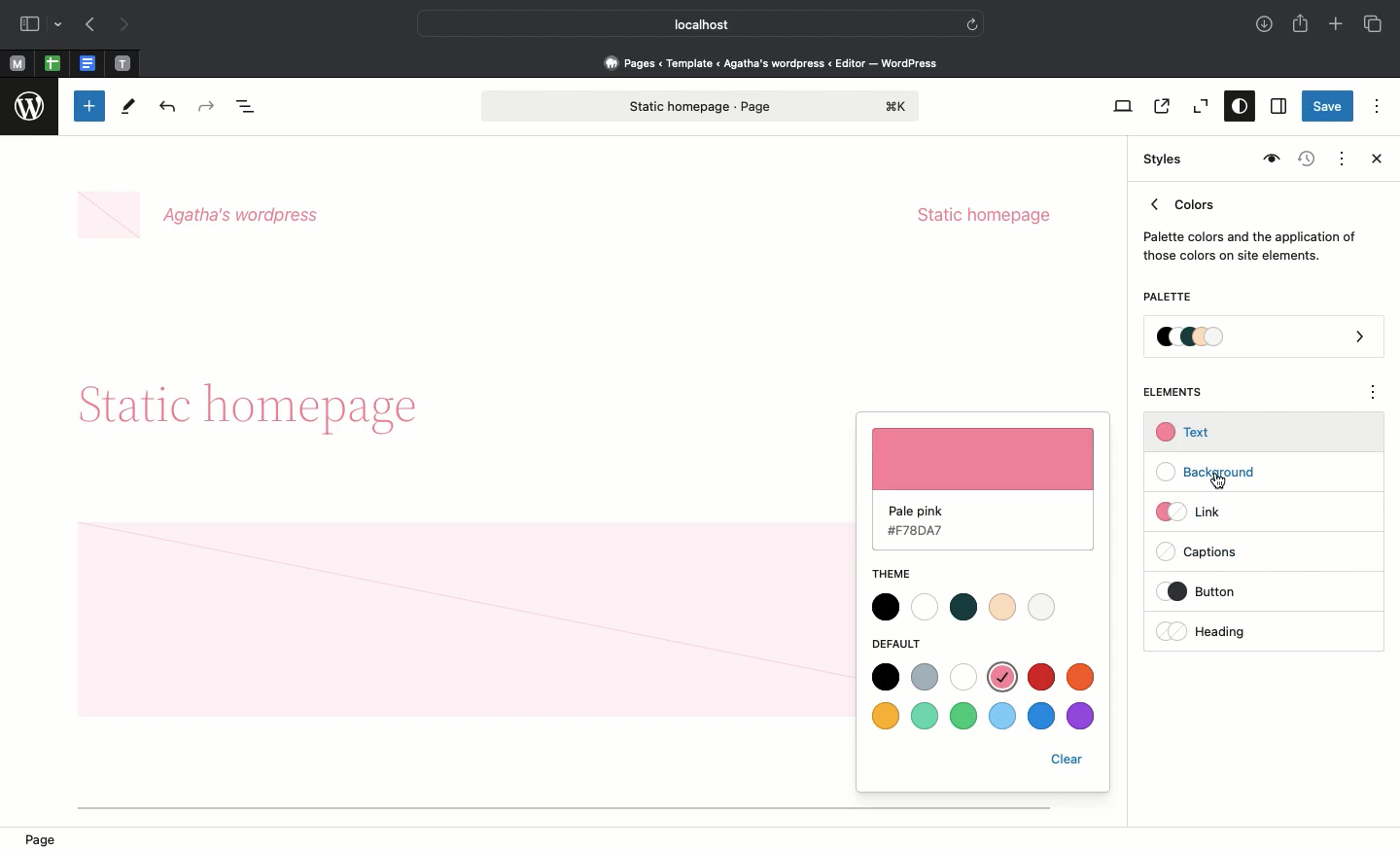 Image resolution: width=1400 pixels, height=850 pixels. Describe the element at coordinates (1067, 761) in the screenshot. I see `Clear` at that location.